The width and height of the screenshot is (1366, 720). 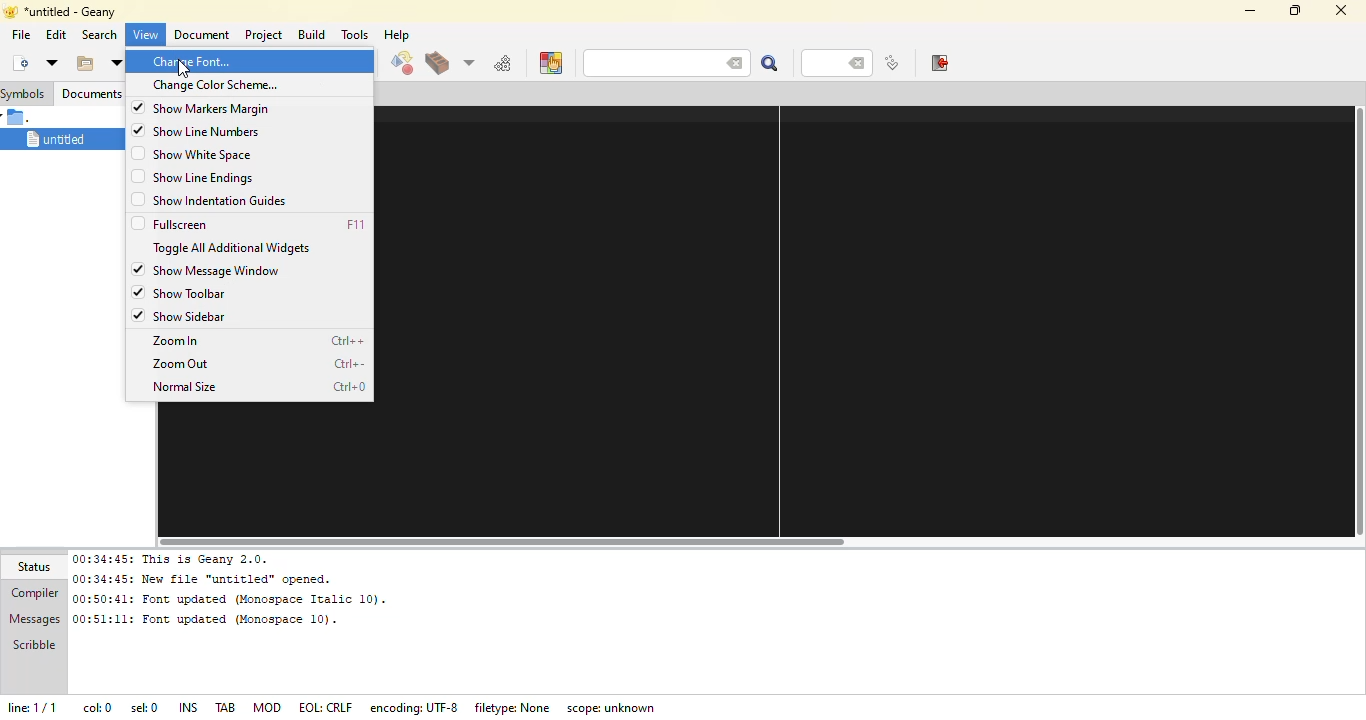 What do you see at coordinates (826, 63) in the screenshot?
I see `line number` at bounding box center [826, 63].